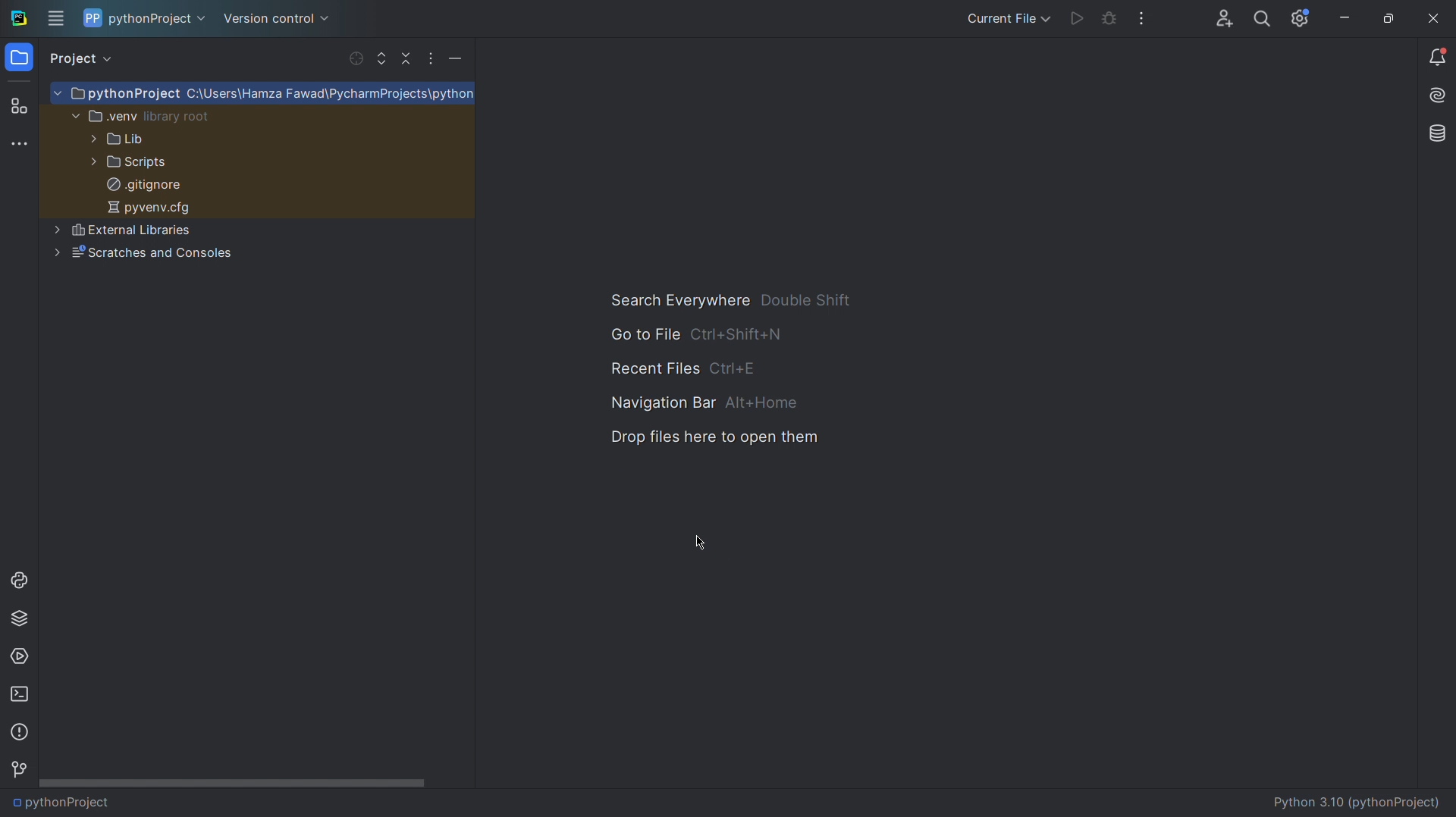 The width and height of the screenshot is (1456, 817). What do you see at coordinates (741, 299) in the screenshot?
I see `Search Everywhere Double Shift ` at bounding box center [741, 299].